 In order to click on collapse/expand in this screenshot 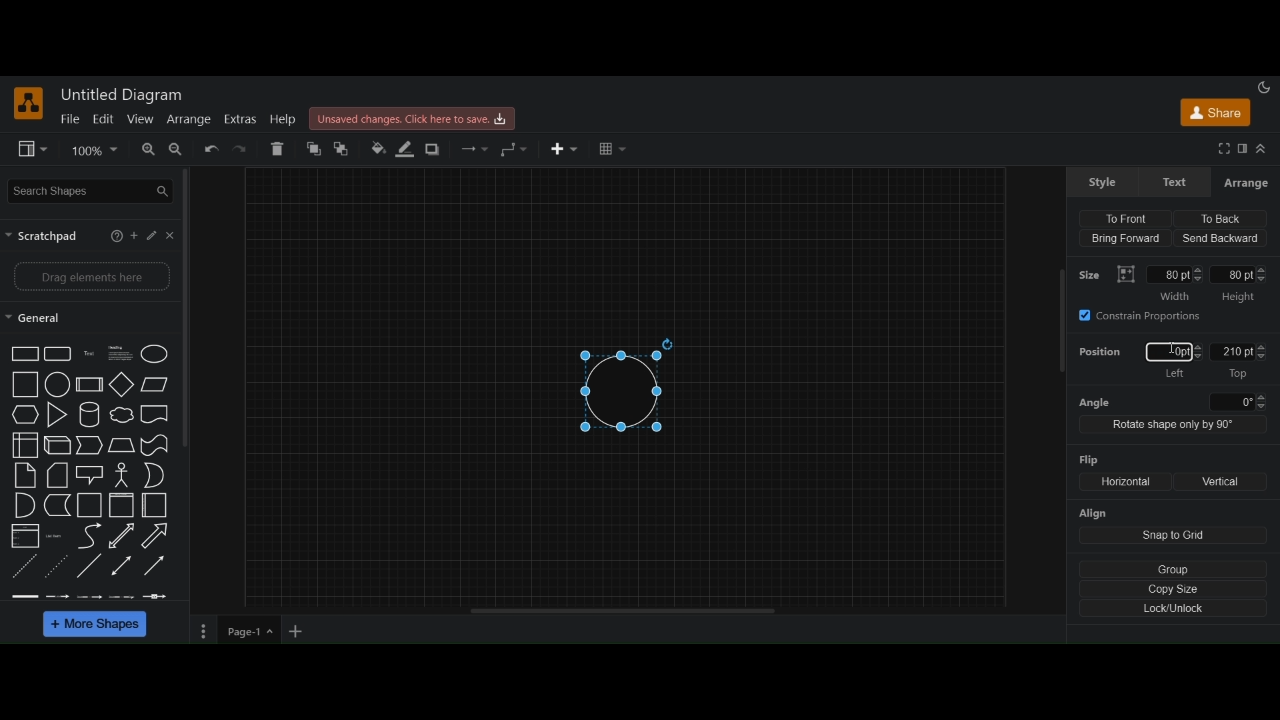, I will do `click(1261, 149)`.